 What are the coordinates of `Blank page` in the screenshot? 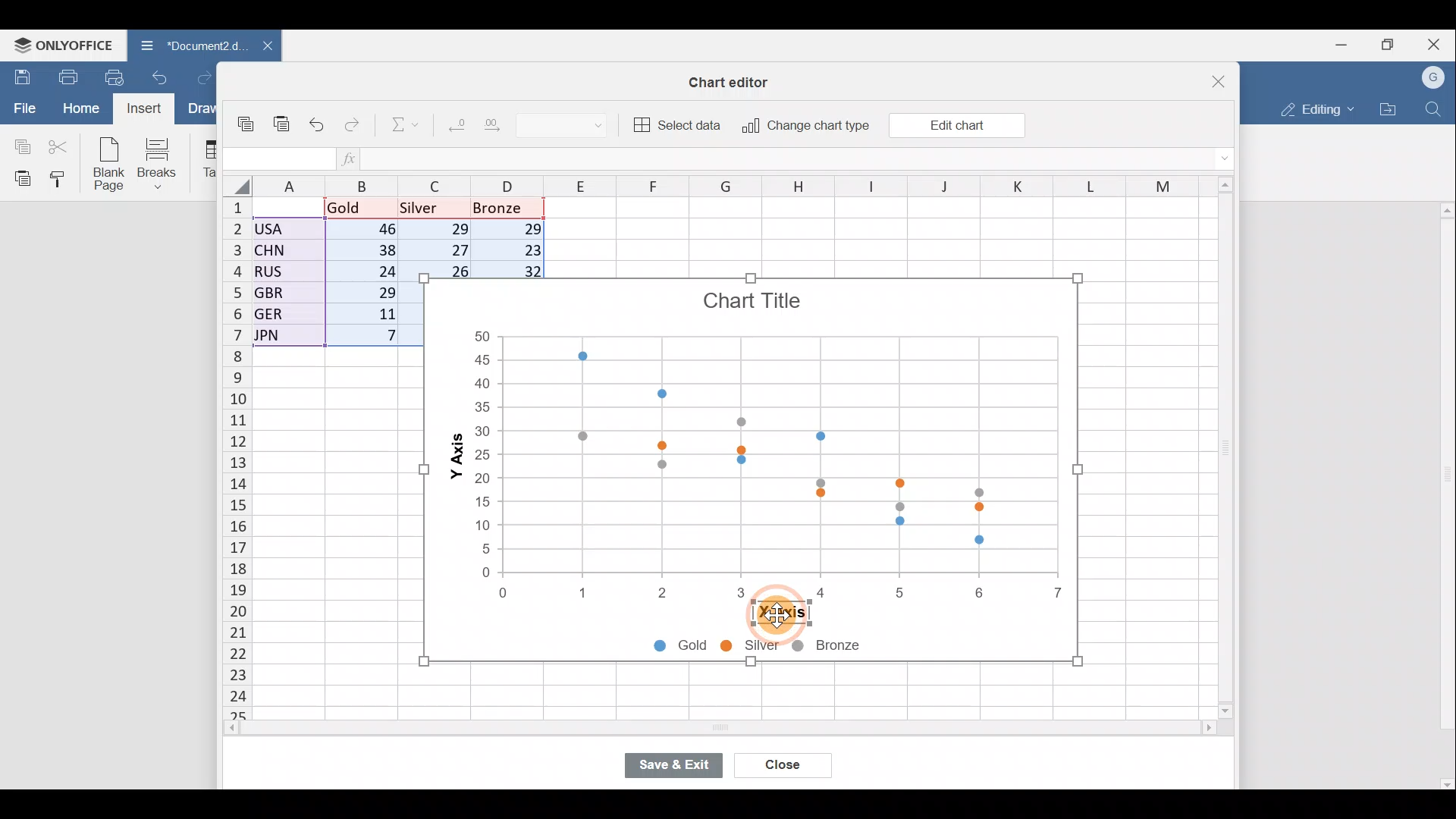 It's located at (111, 165).